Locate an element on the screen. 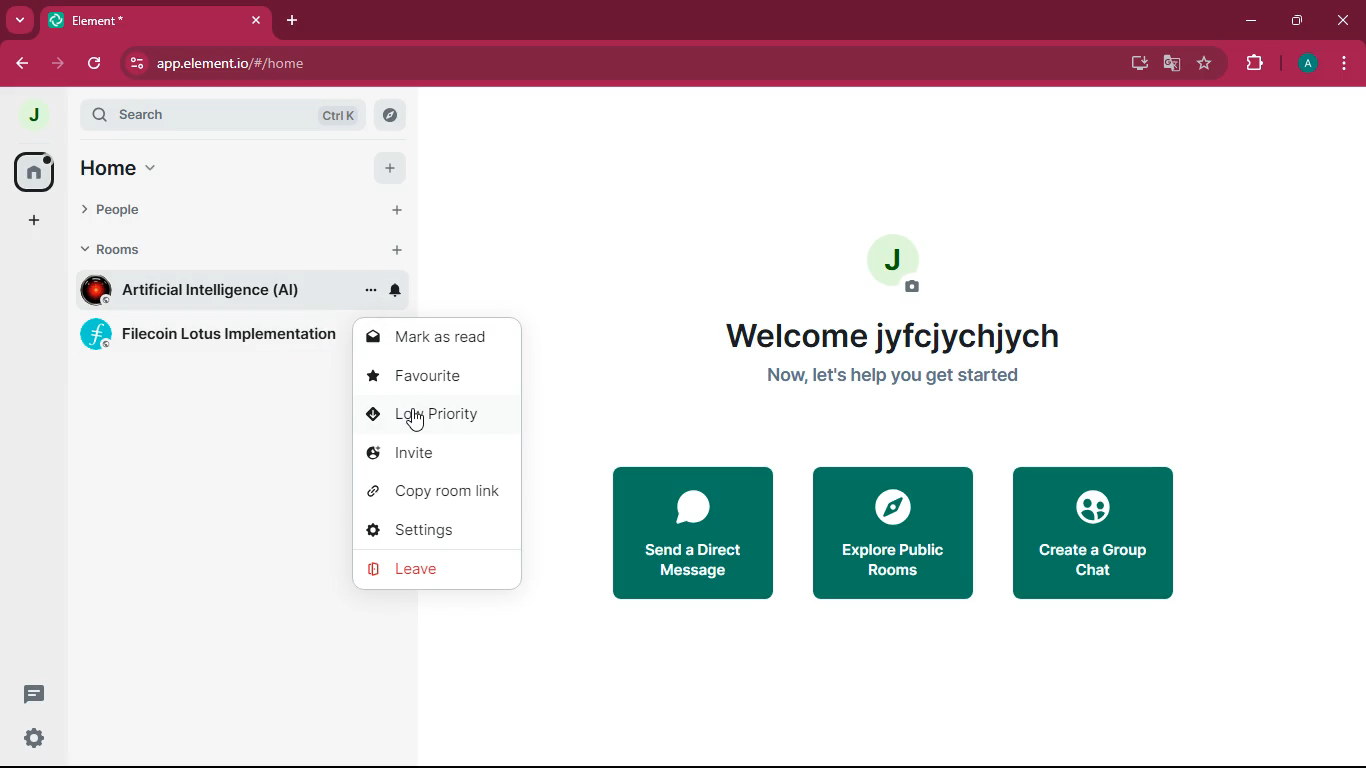  add is located at coordinates (388, 169).